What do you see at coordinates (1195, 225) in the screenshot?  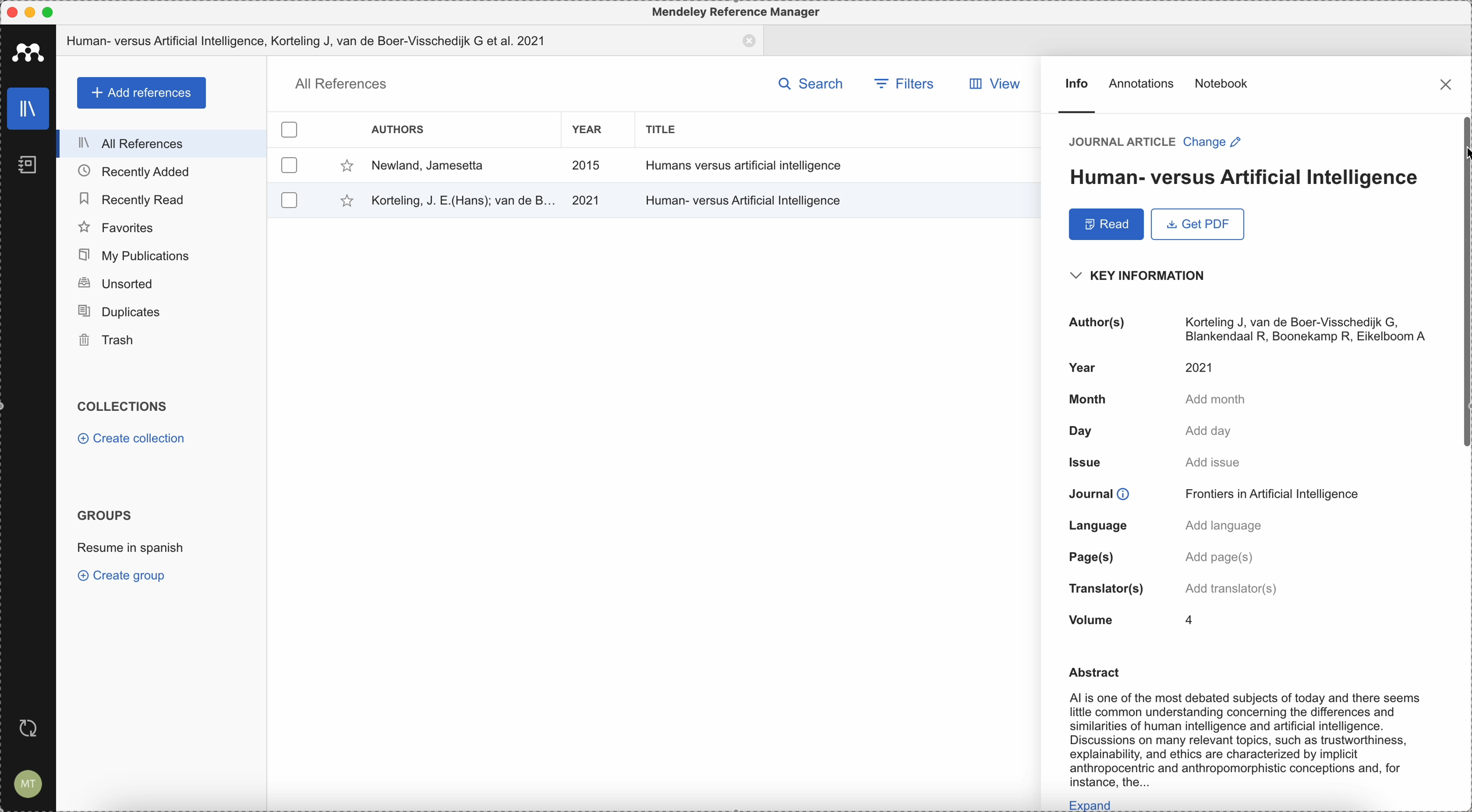 I see `get PDF` at bounding box center [1195, 225].